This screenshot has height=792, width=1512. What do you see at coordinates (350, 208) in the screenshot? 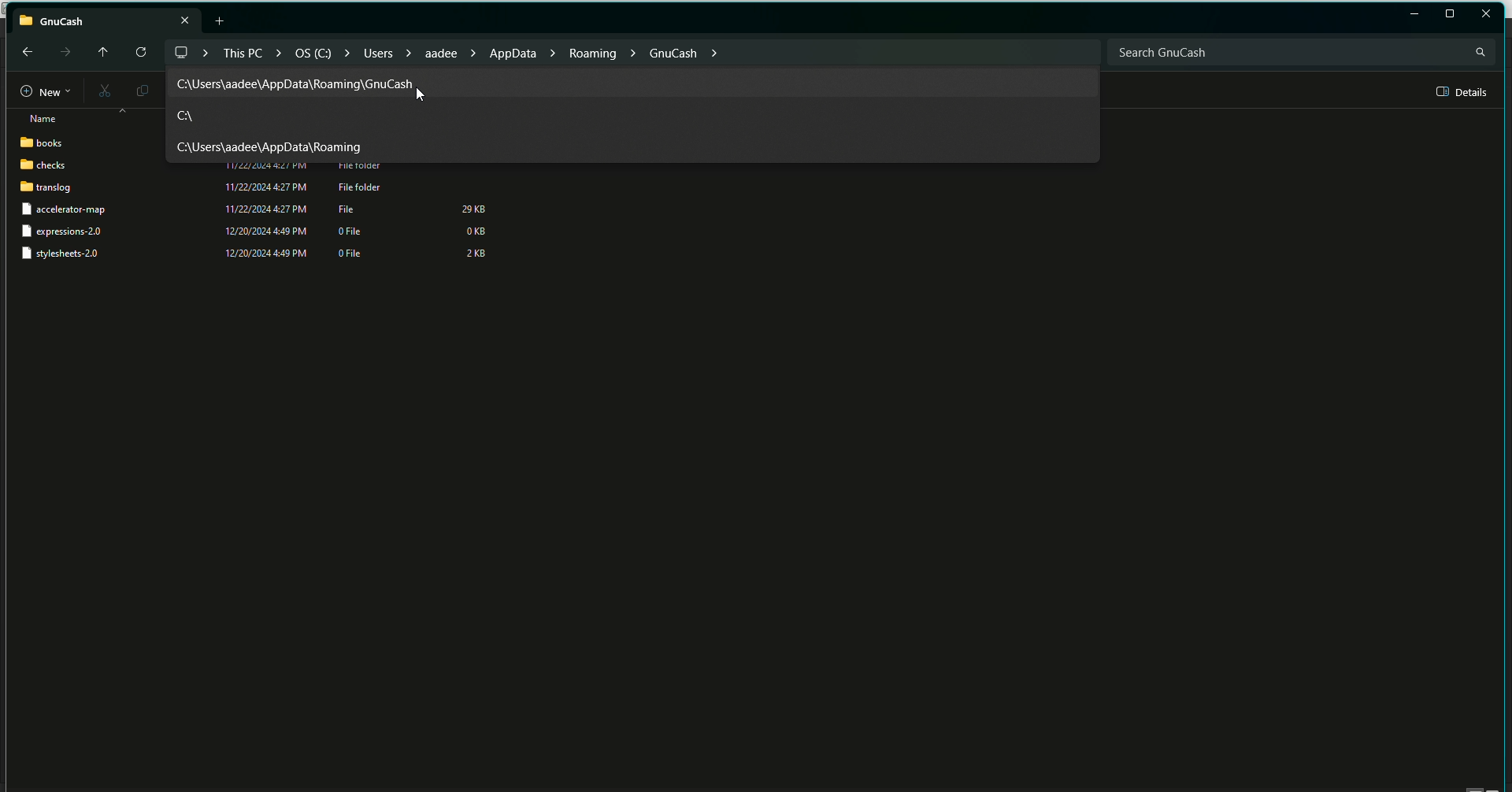
I see `File` at bounding box center [350, 208].